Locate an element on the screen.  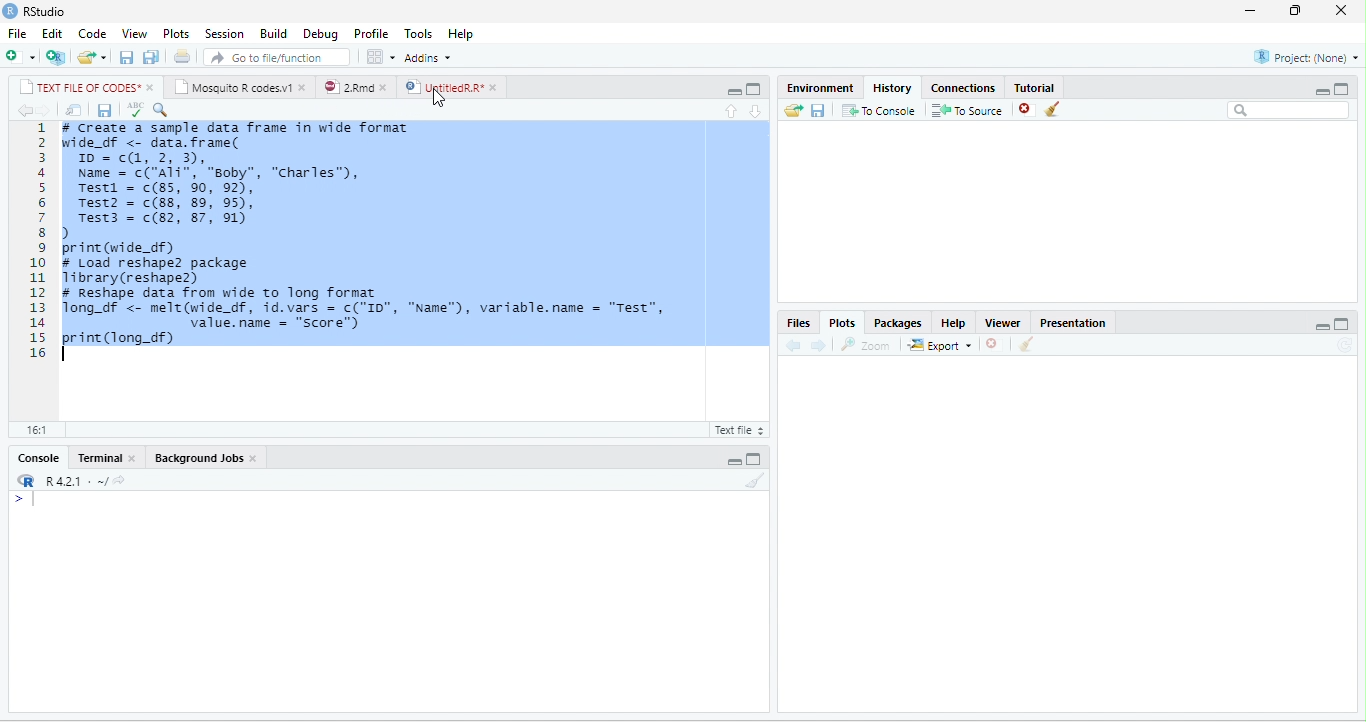
save all is located at coordinates (151, 57).